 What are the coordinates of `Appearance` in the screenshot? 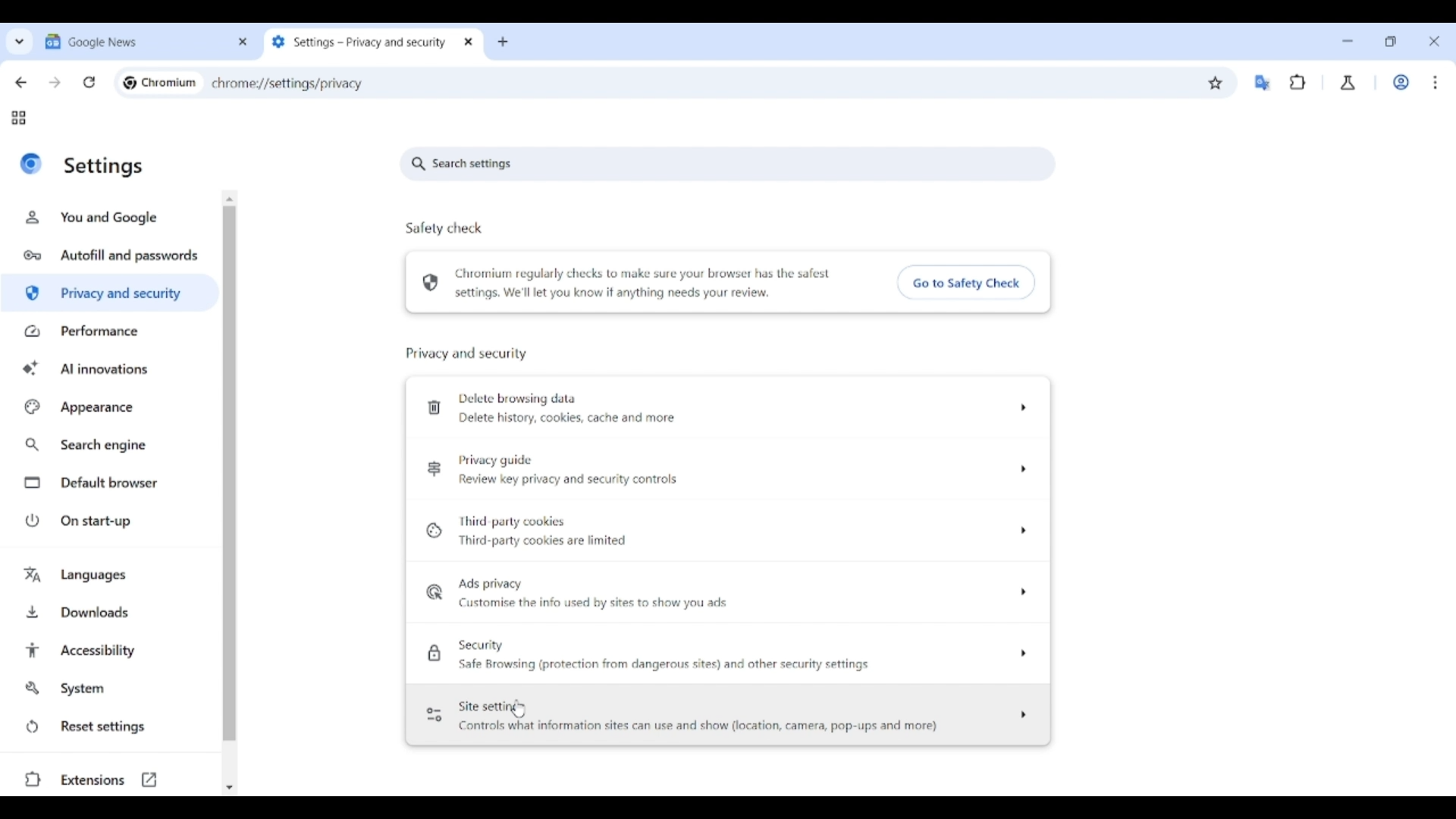 It's located at (110, 407).